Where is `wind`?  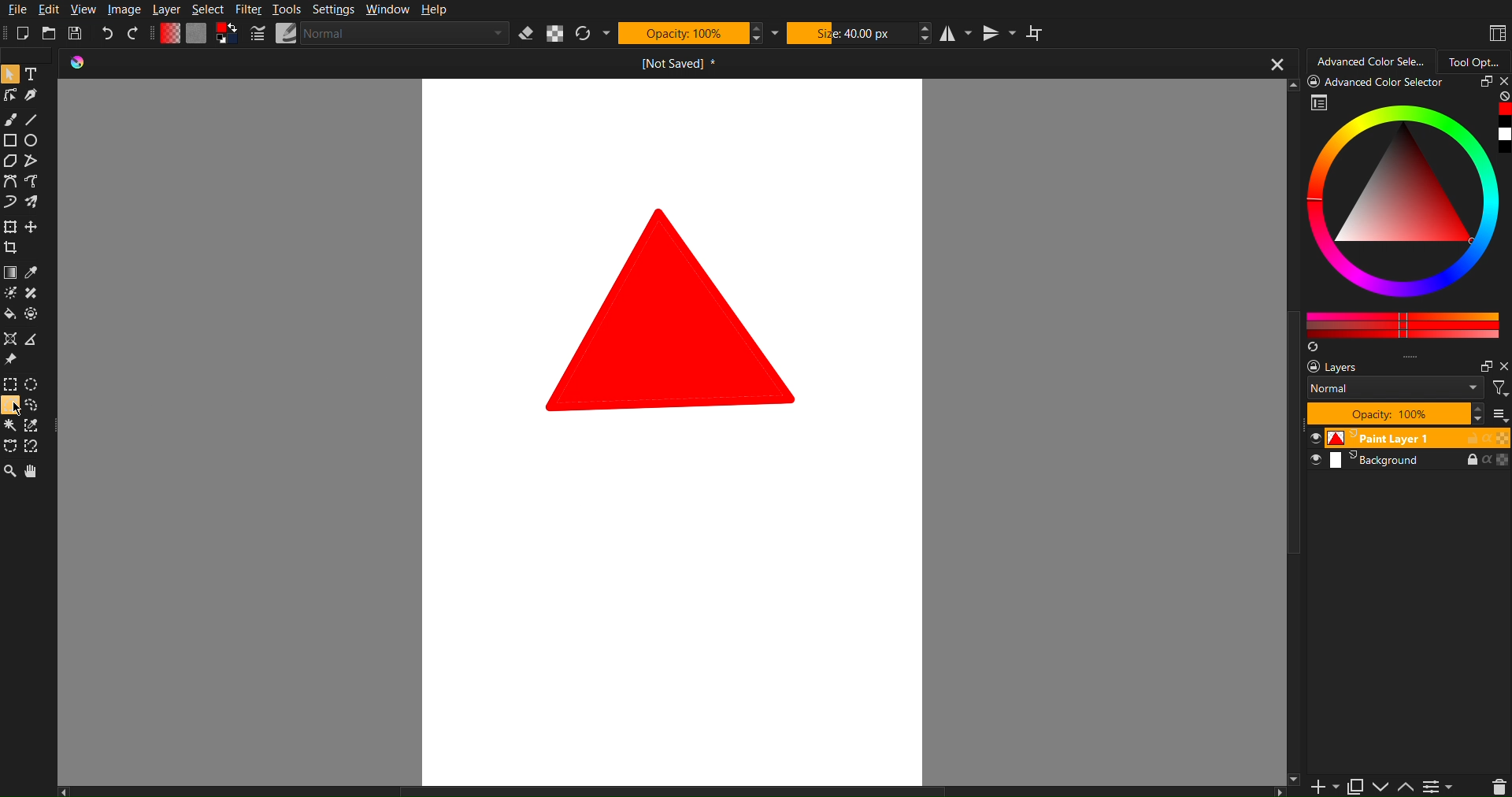 wind is located at coordinates (9, 428).